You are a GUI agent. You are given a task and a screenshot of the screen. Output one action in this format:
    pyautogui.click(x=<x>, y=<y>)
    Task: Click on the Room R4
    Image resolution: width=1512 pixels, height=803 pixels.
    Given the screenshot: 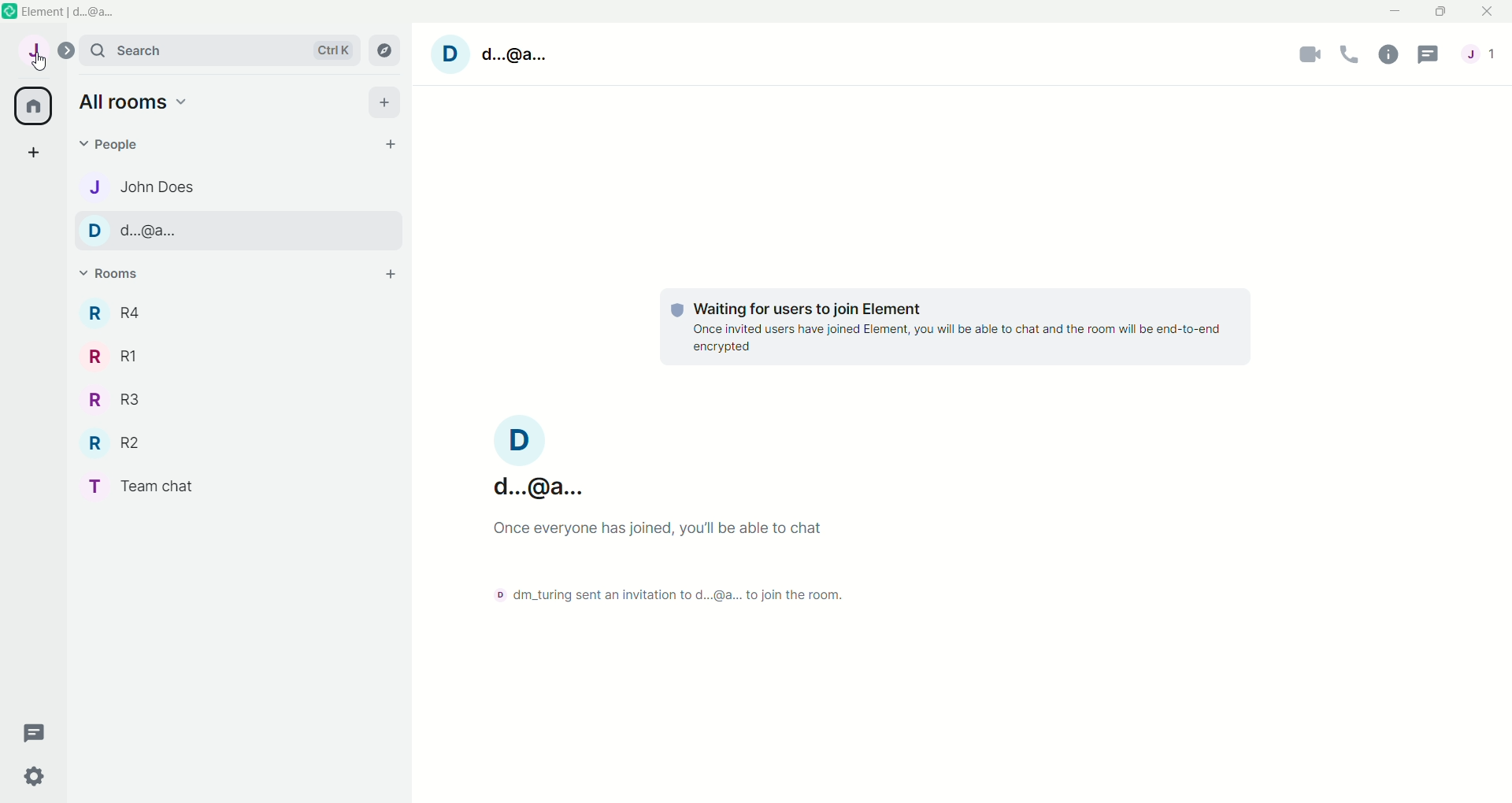 What is the action you would take?
    pyautogui.click(x=116, y=312)
    